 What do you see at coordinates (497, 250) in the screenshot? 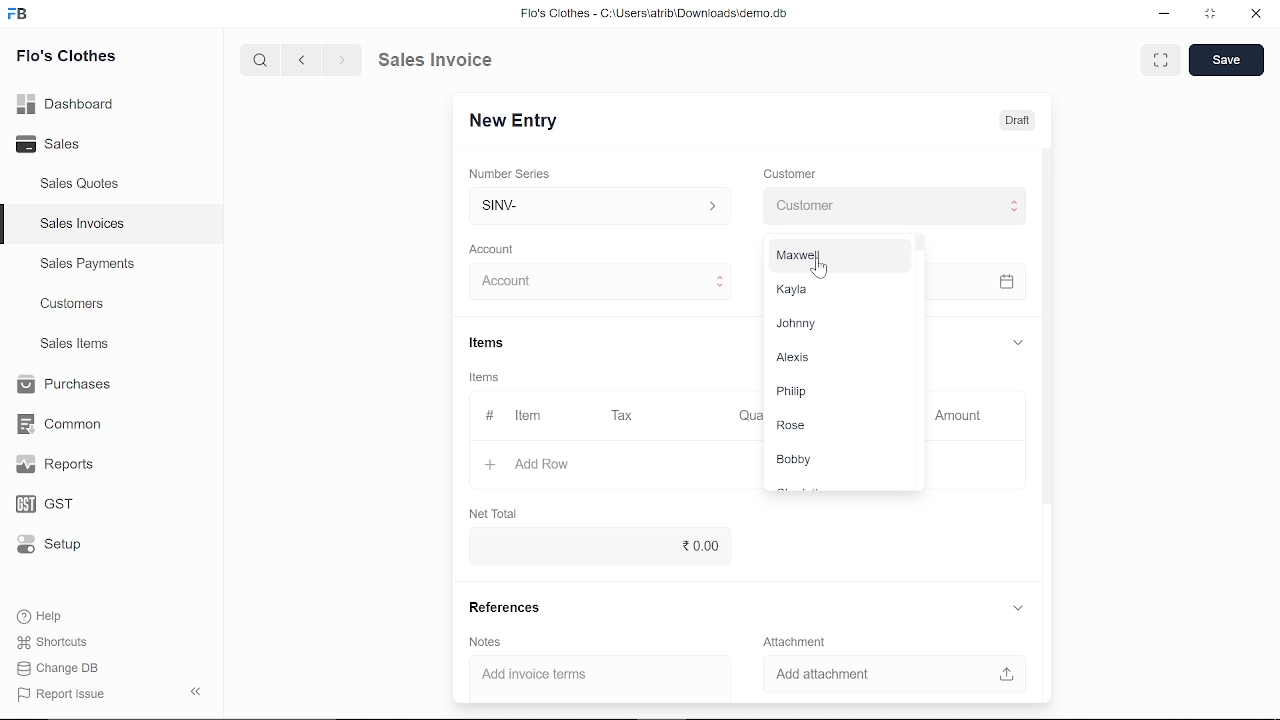
I see `Account` at bounding box center [497, 250].